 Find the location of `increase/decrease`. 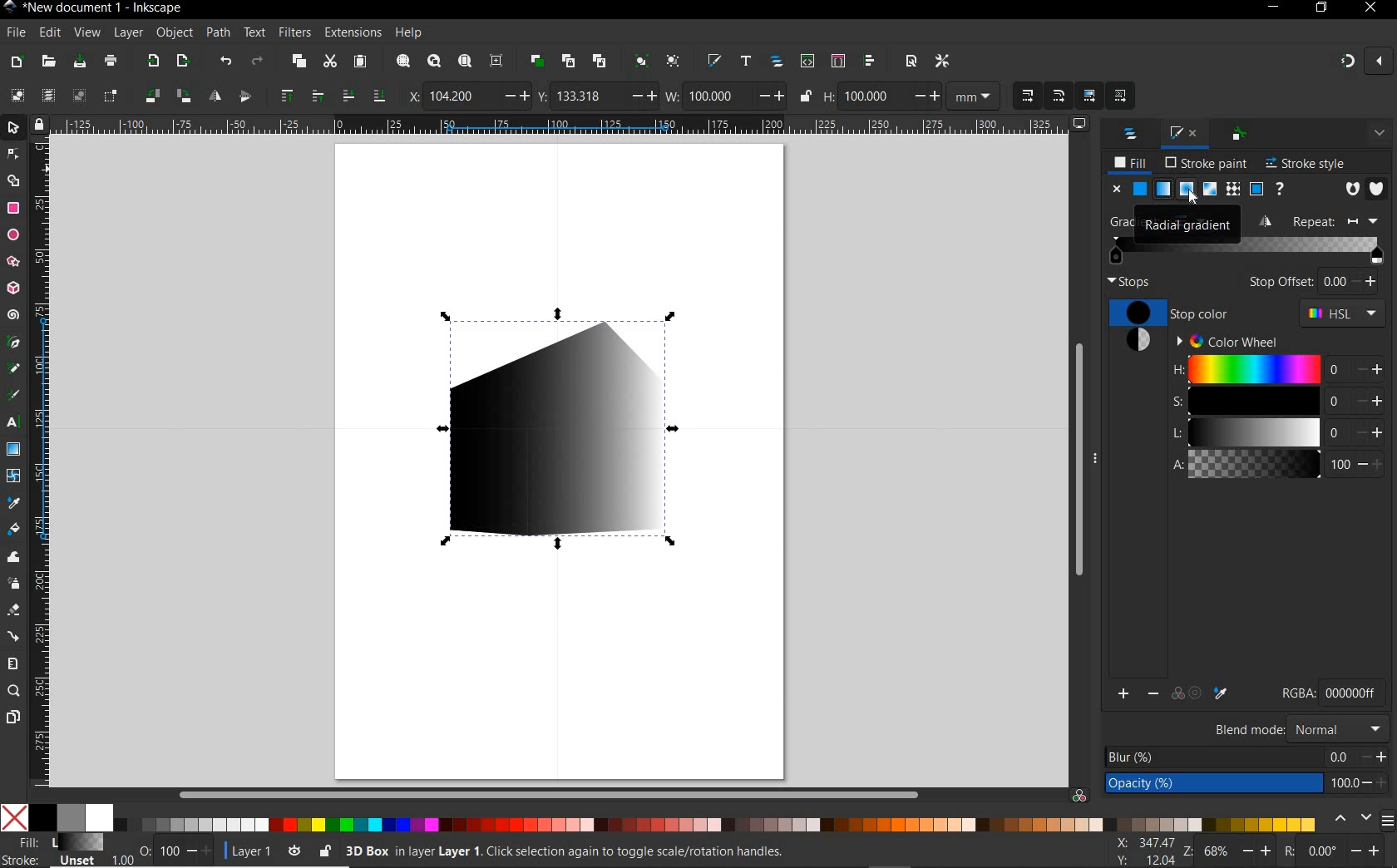

increase/decrease is located at coordinates (924, 96).